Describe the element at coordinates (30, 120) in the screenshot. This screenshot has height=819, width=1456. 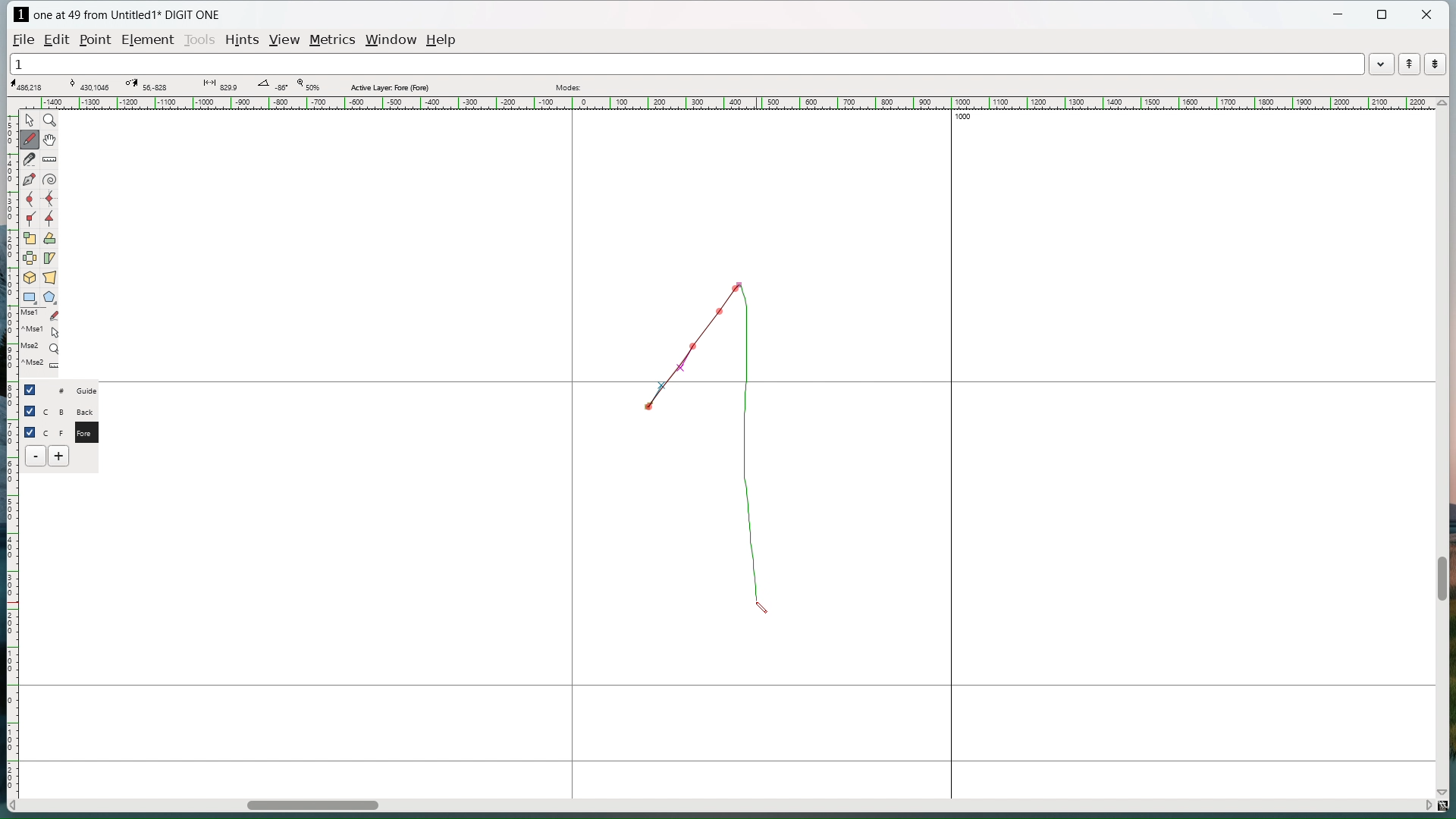
I see `pointer` at that location.